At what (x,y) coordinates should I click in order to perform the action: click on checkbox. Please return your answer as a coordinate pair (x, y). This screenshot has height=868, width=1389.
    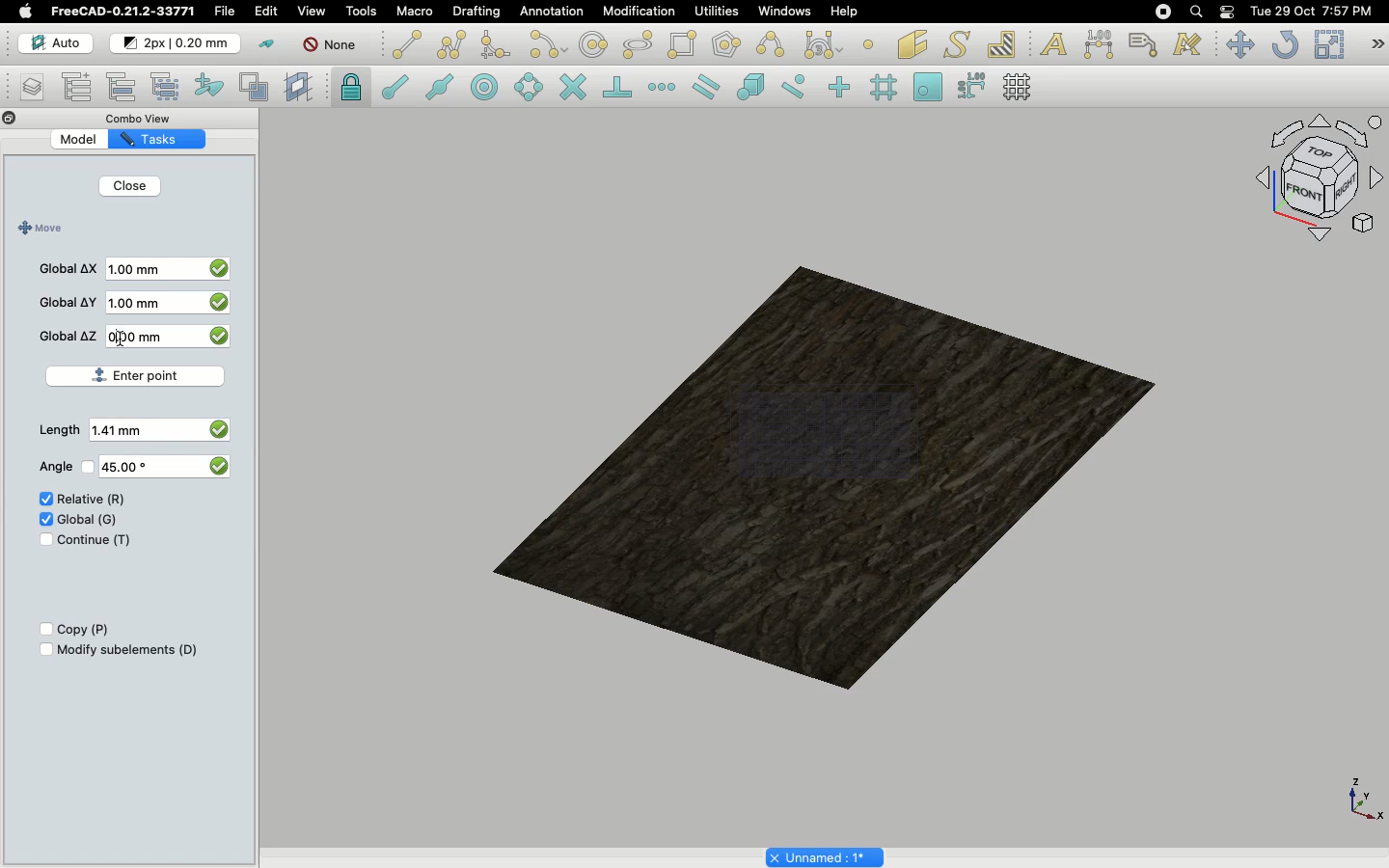
    Looking at the image, I should click on (222, 339).